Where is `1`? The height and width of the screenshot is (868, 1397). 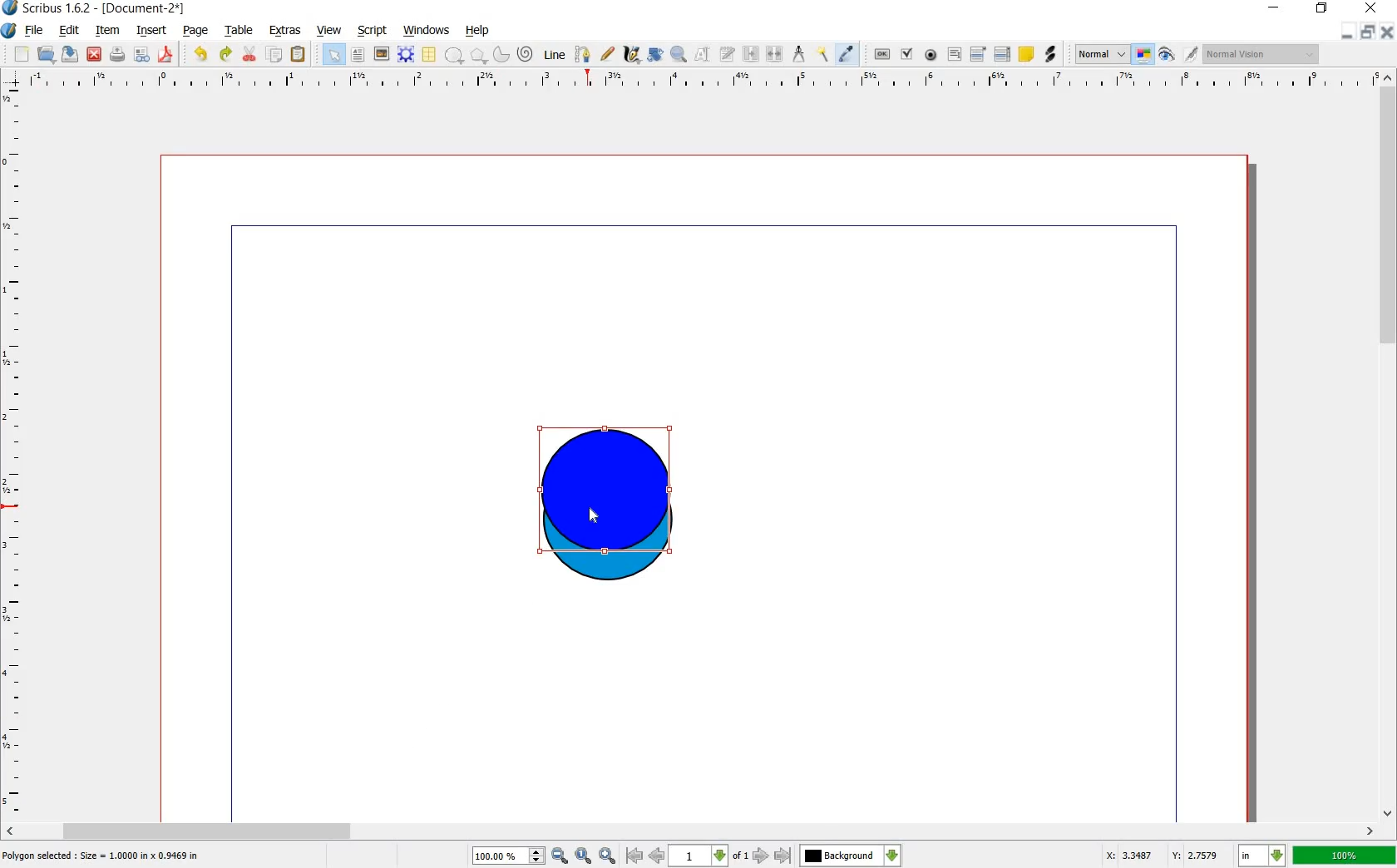
1 is located at coordinates (698, 856).